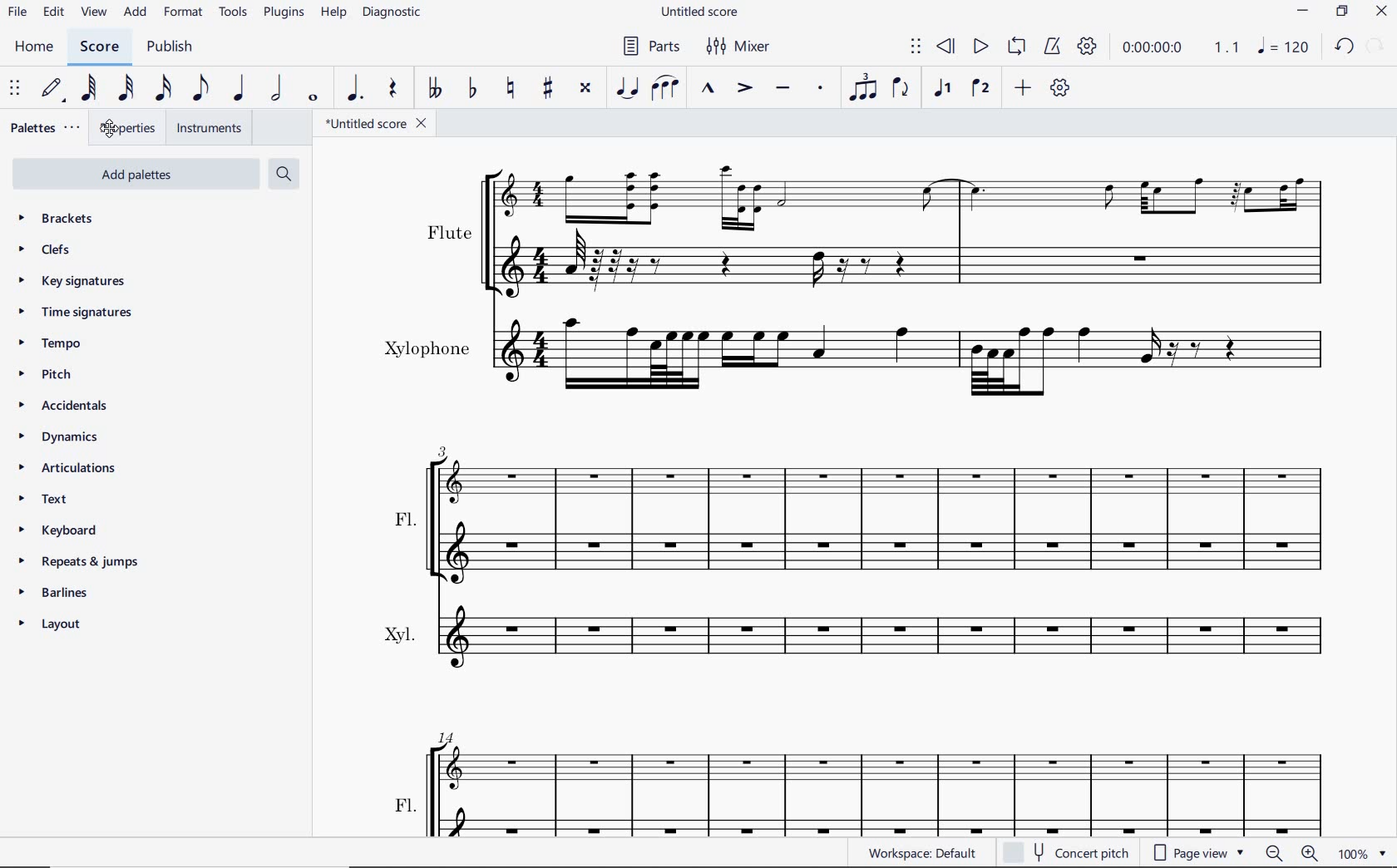  Describe the element at coordinates (52, 593) in the screenshot. I see `barlines` at that location.